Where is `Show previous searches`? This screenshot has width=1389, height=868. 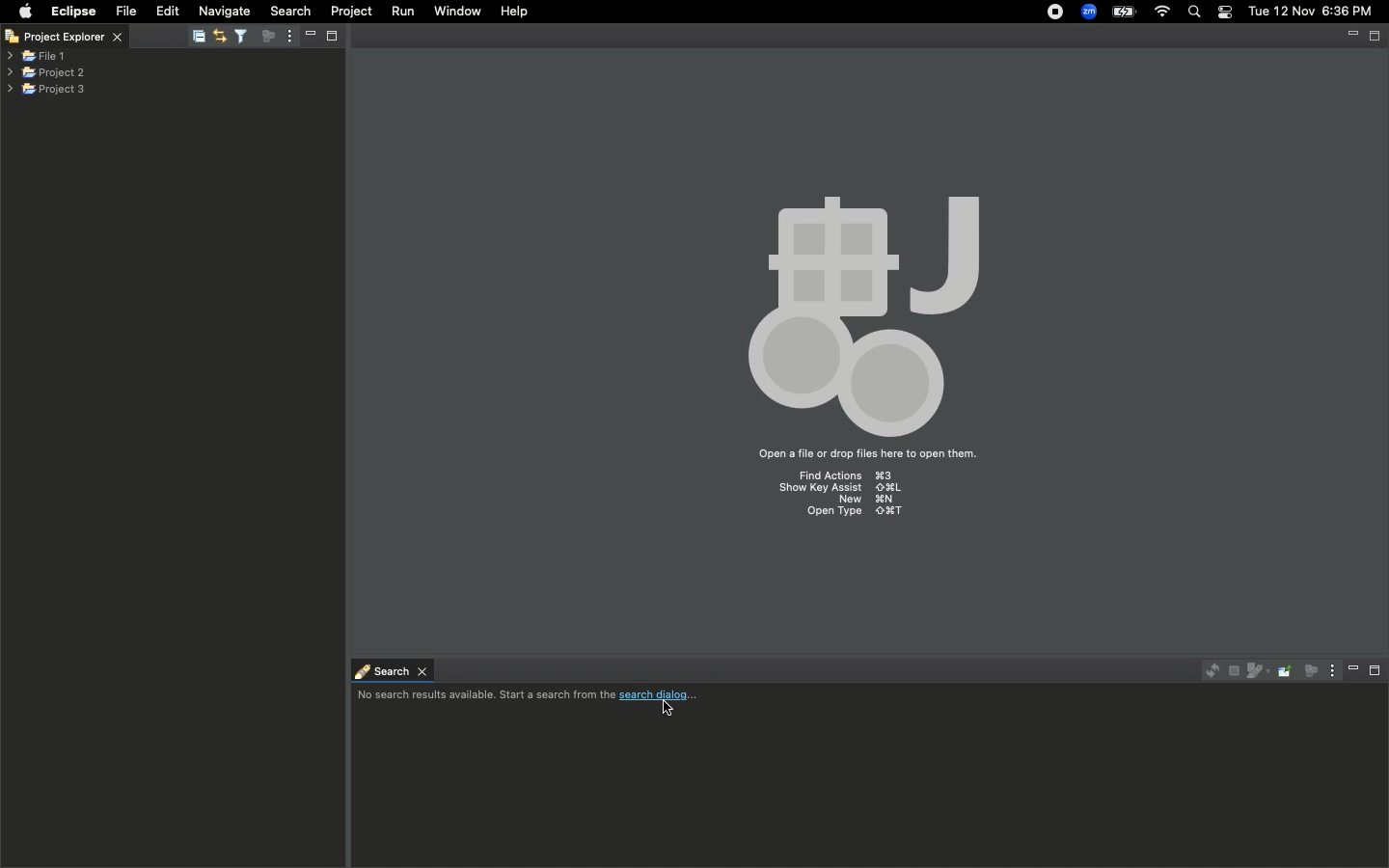
Show previous searches is located at coordinates (1256, 671).